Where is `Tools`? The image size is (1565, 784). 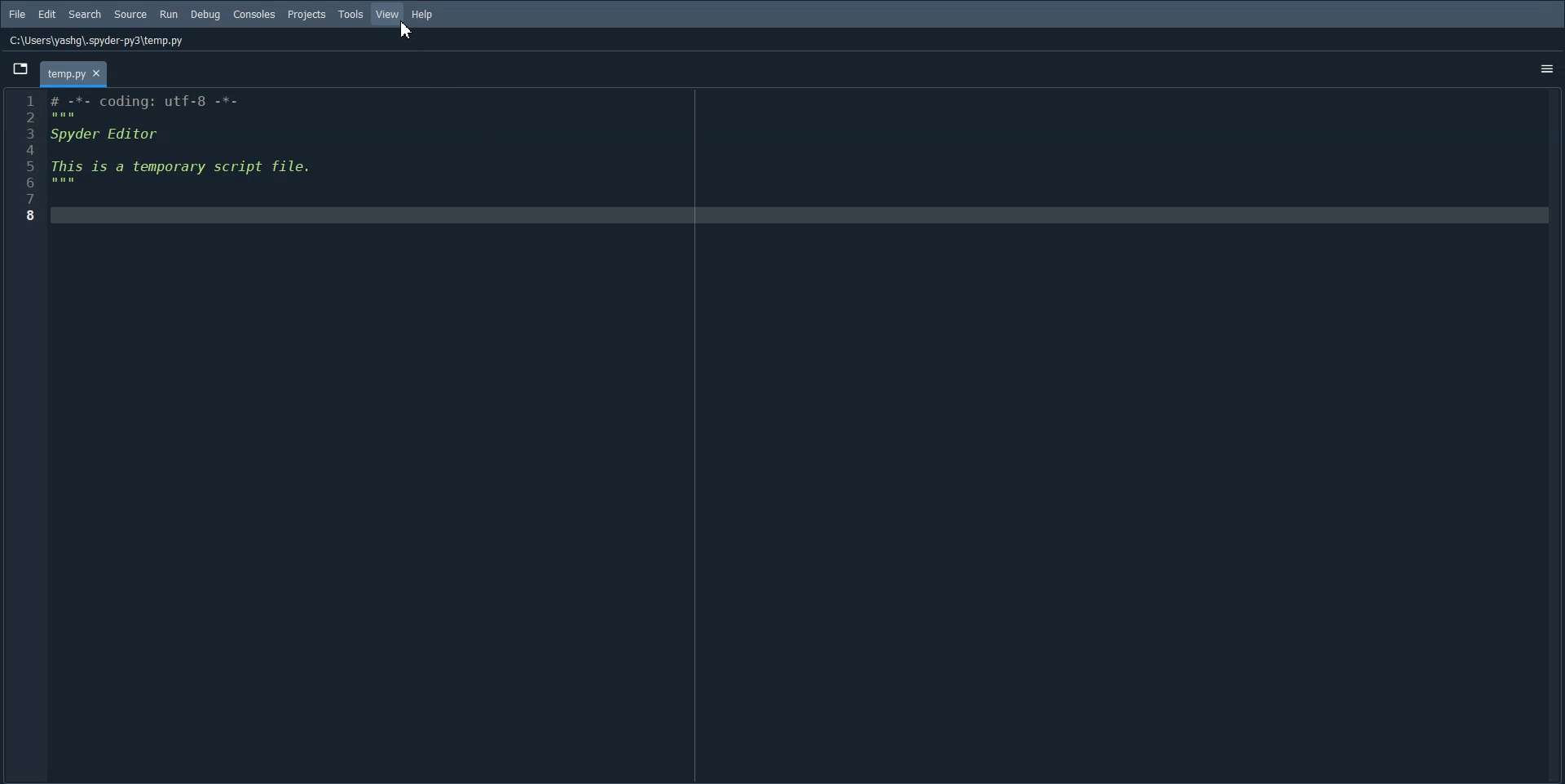
Tools is located at coordinates (350, 15).